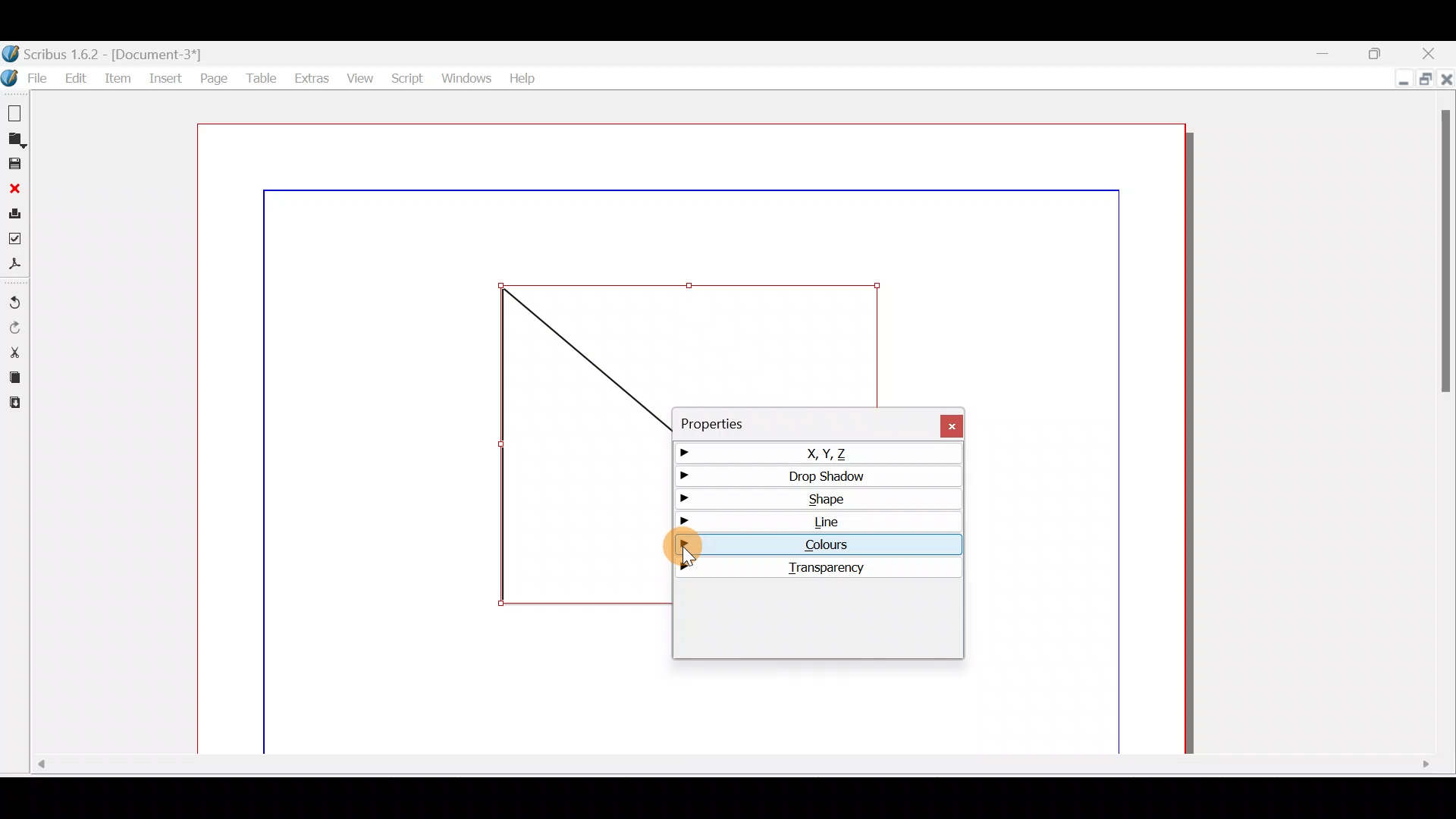  What do you see at coordinates (358, 75) in the screenshot?
I see `View` at bounding box center [358, 75].